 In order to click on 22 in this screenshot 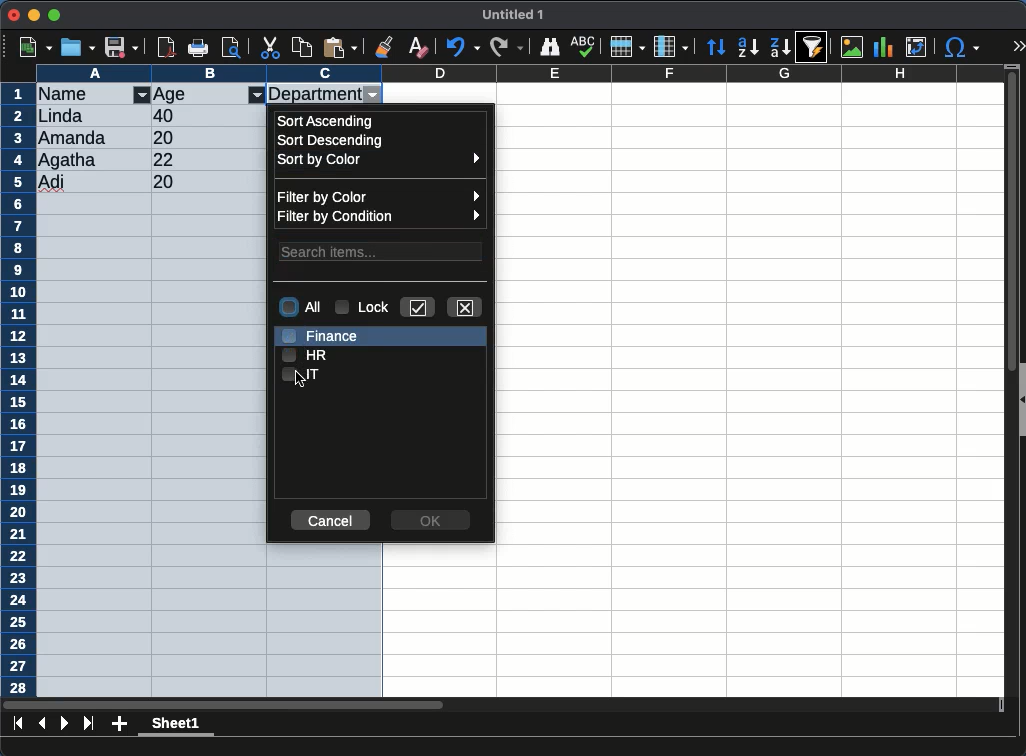, I will do `click(168, 159)`.